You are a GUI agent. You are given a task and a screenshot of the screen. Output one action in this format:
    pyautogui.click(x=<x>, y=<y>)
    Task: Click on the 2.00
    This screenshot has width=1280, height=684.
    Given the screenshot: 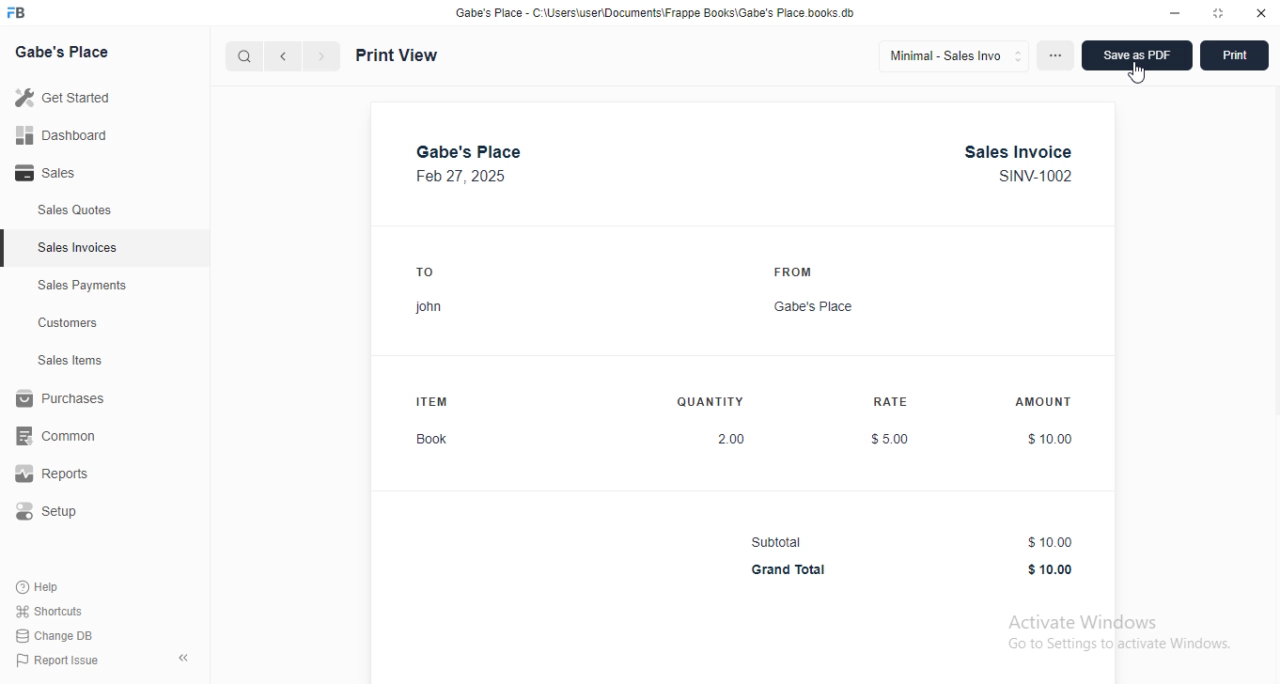 What is the action you would take?
    pyautogui.click(x=733, y=439)
    